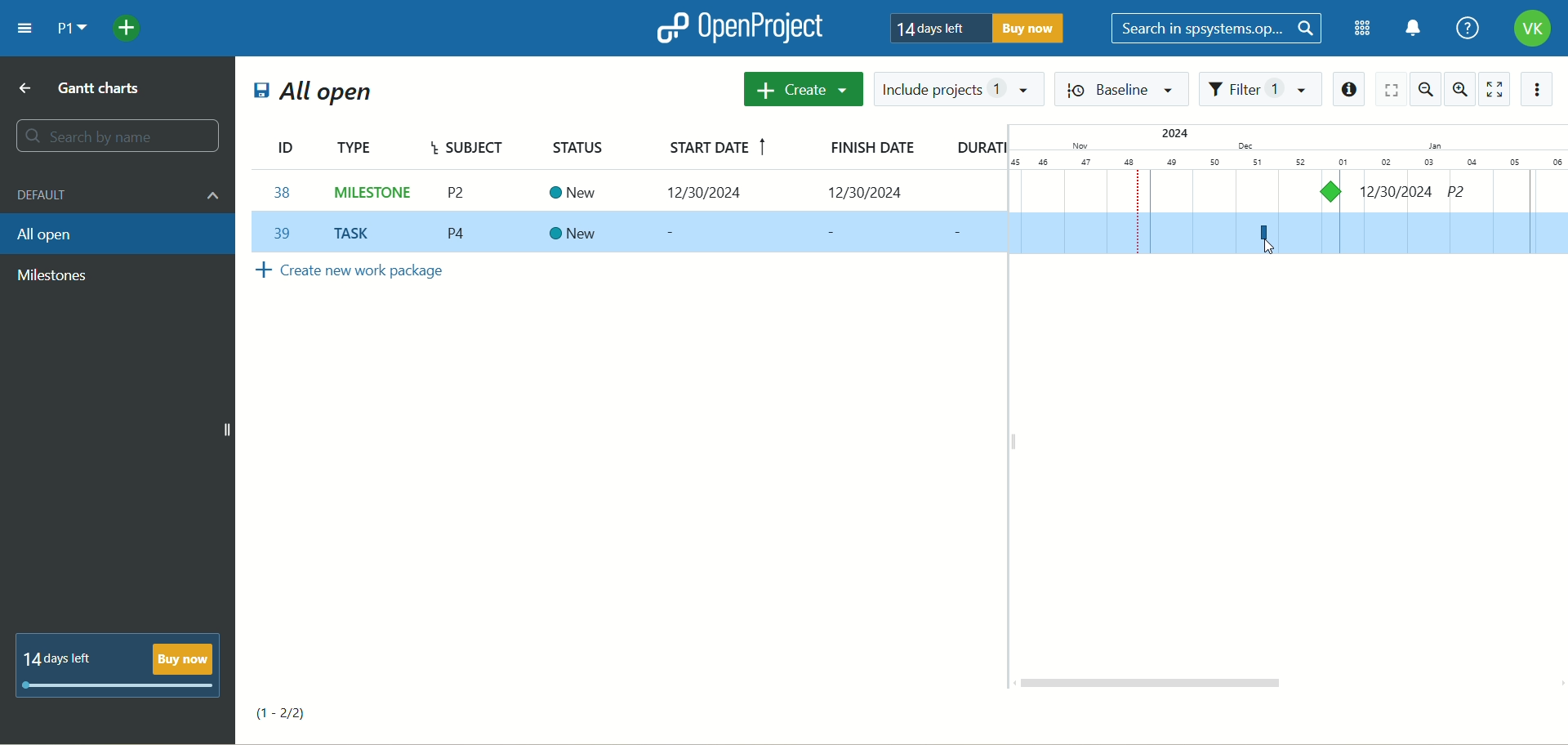 Image resolution: width=1568 pixels, height=745 pixels. Describe the element at coordinates (371, 189) in the screenshot. I see `MILESTONE` at that location.